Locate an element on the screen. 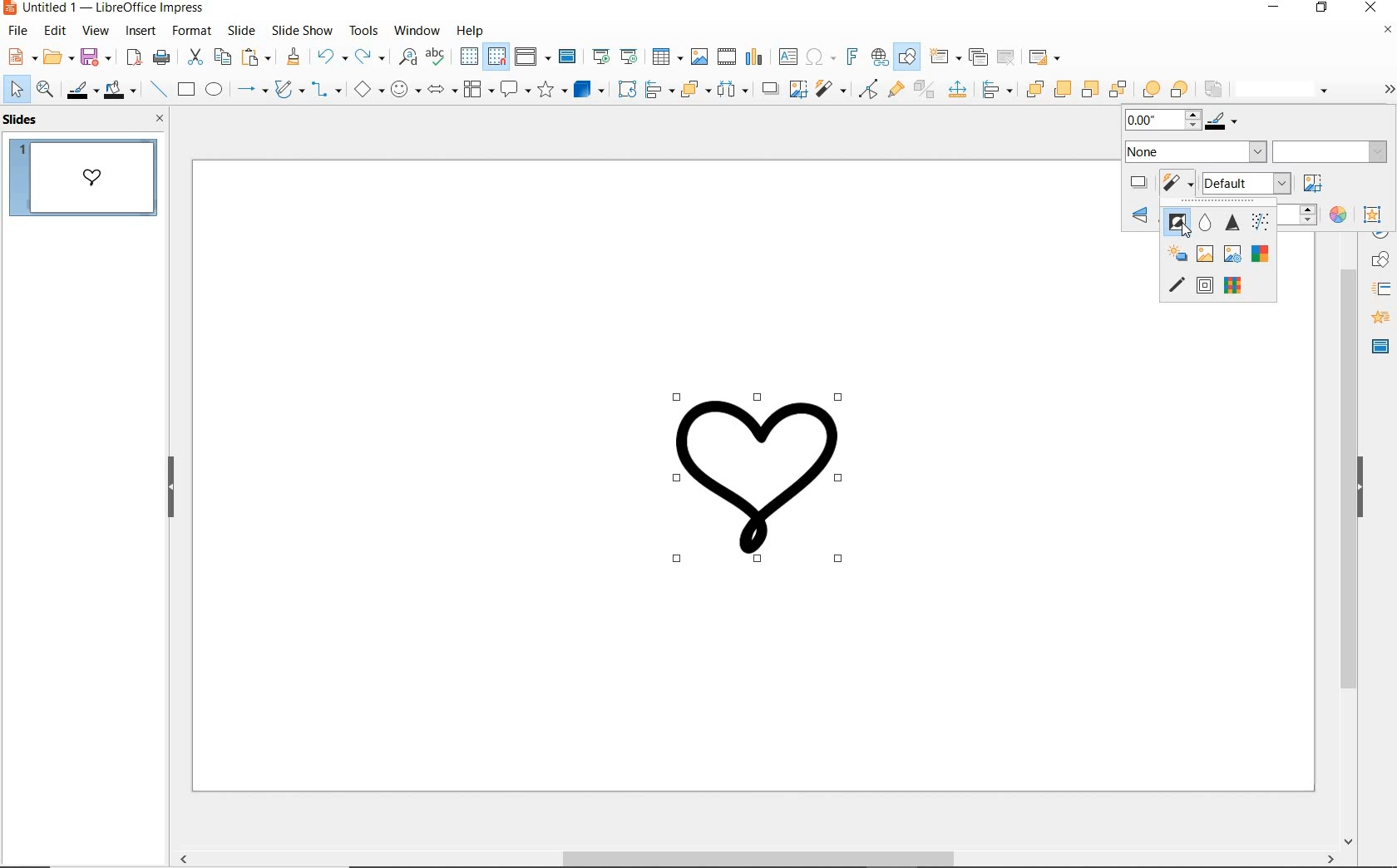  window is located at coordinates (416, 31).